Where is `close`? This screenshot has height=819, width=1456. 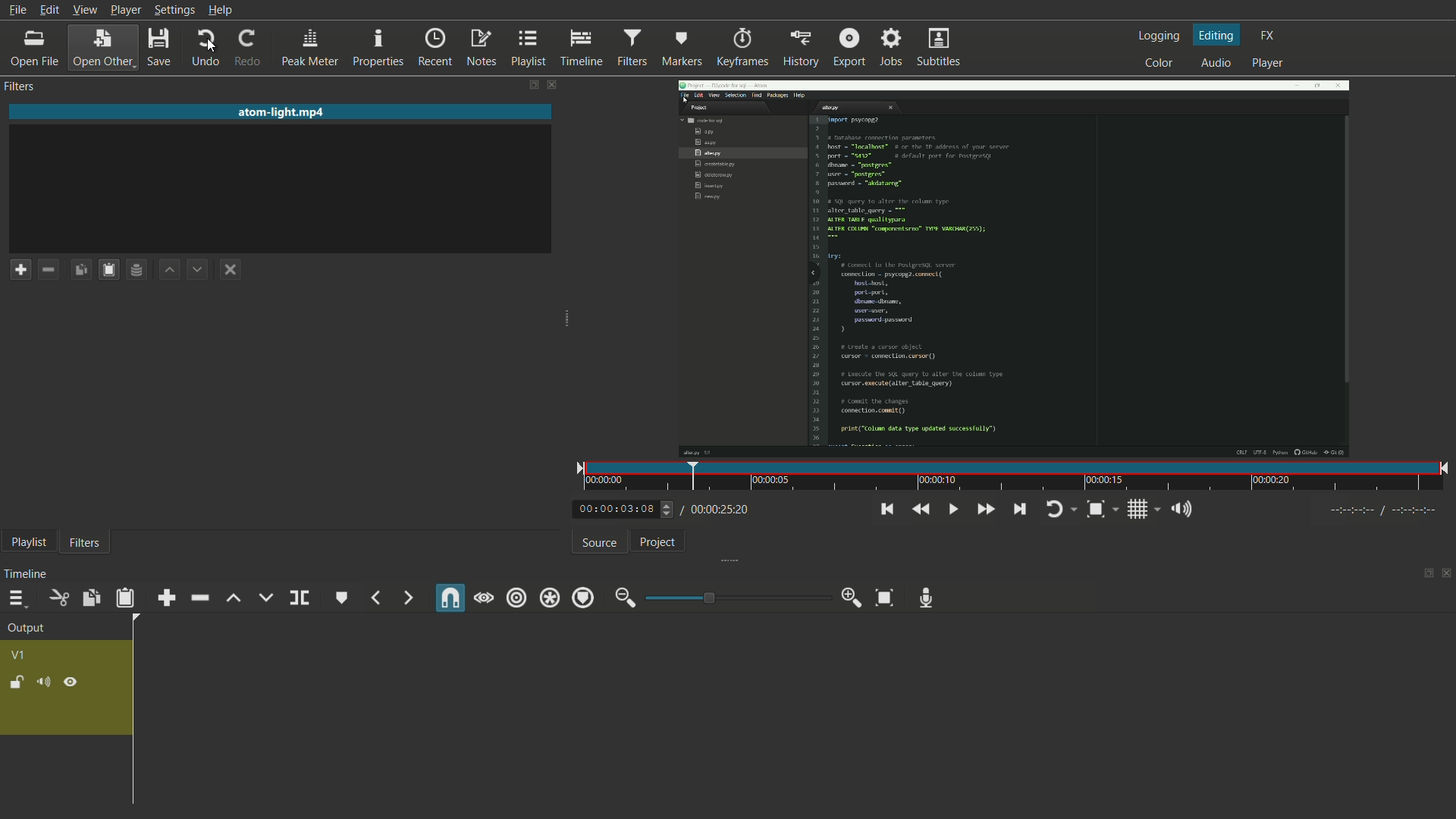
close is located at coordinates (226, 268).